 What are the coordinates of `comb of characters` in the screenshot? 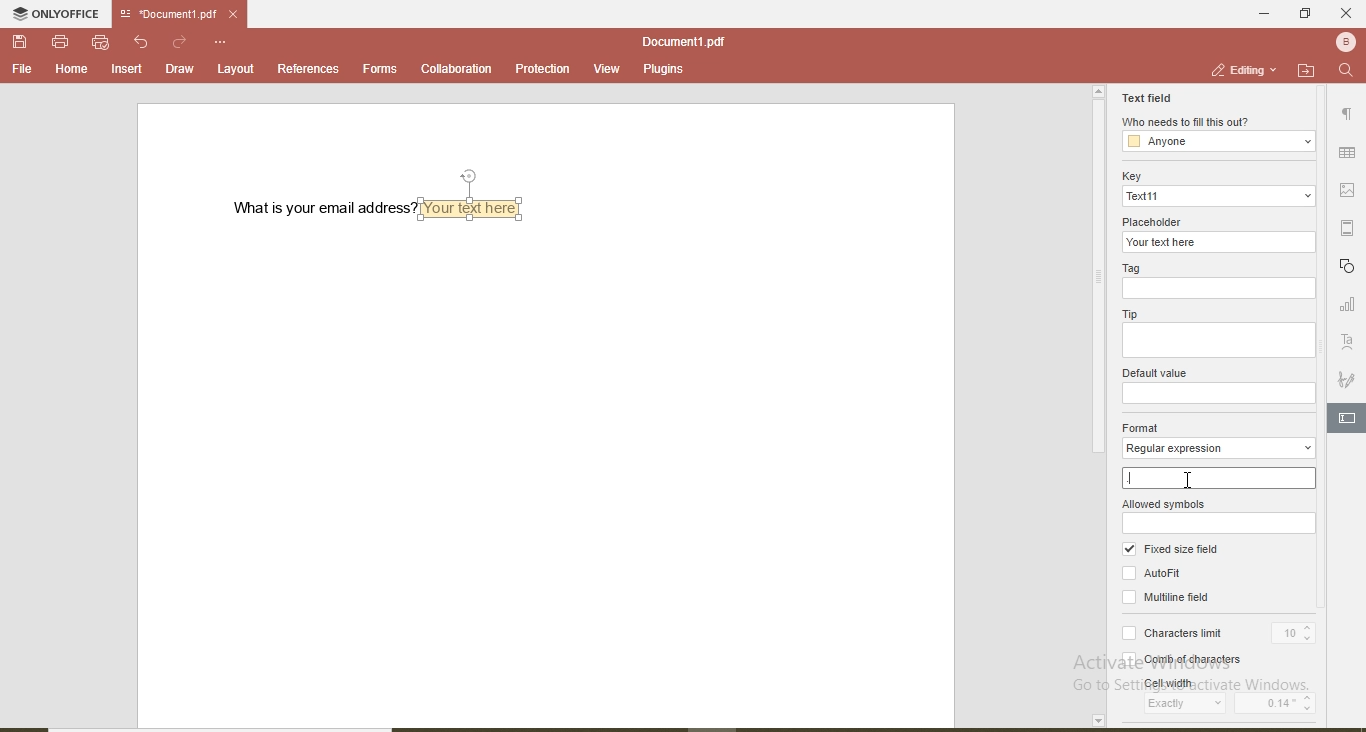 It's located at (1175, 656).